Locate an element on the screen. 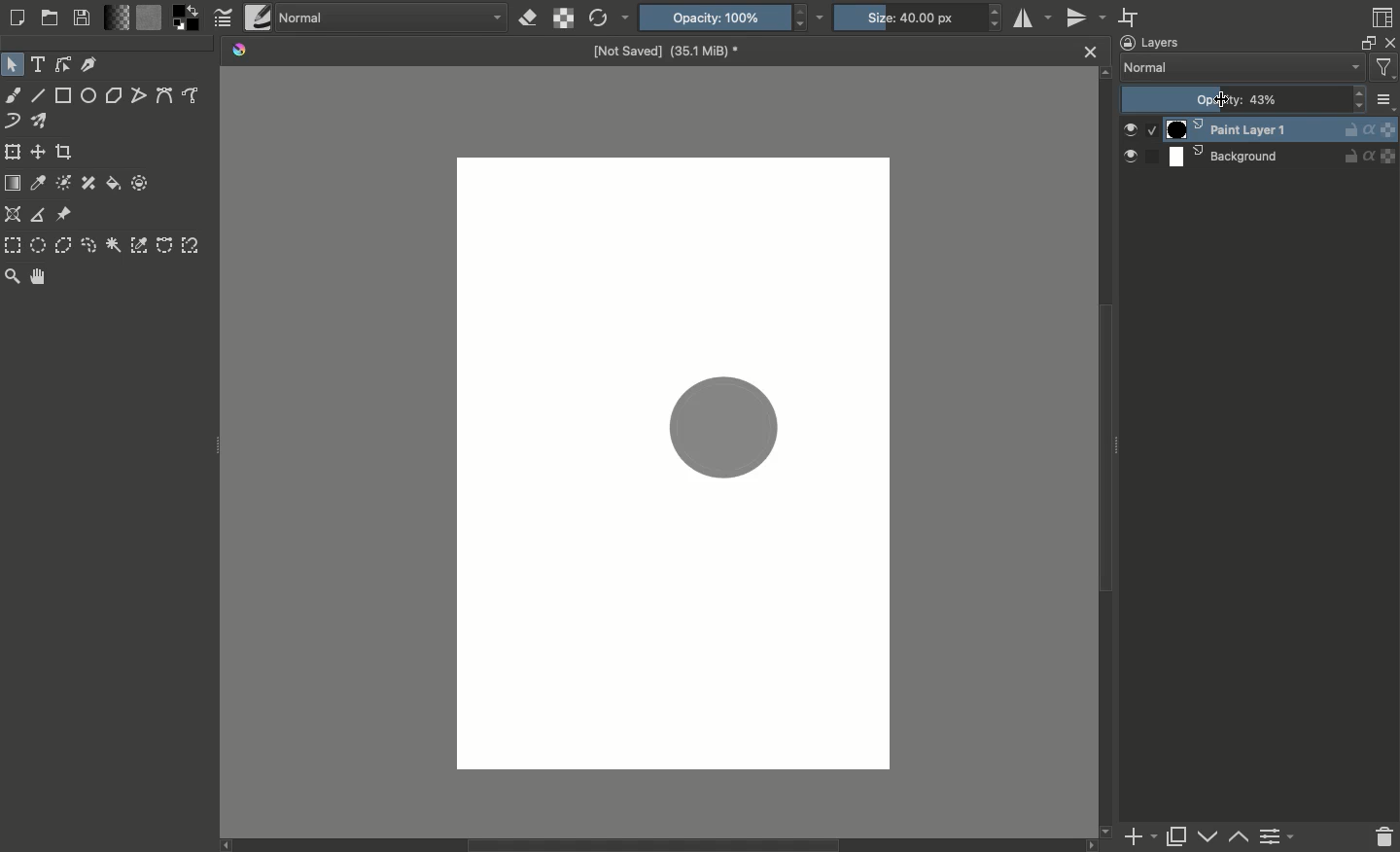 This screenshot has height=852, width=1400. Colorize mask is located at coordinates (64, 183).